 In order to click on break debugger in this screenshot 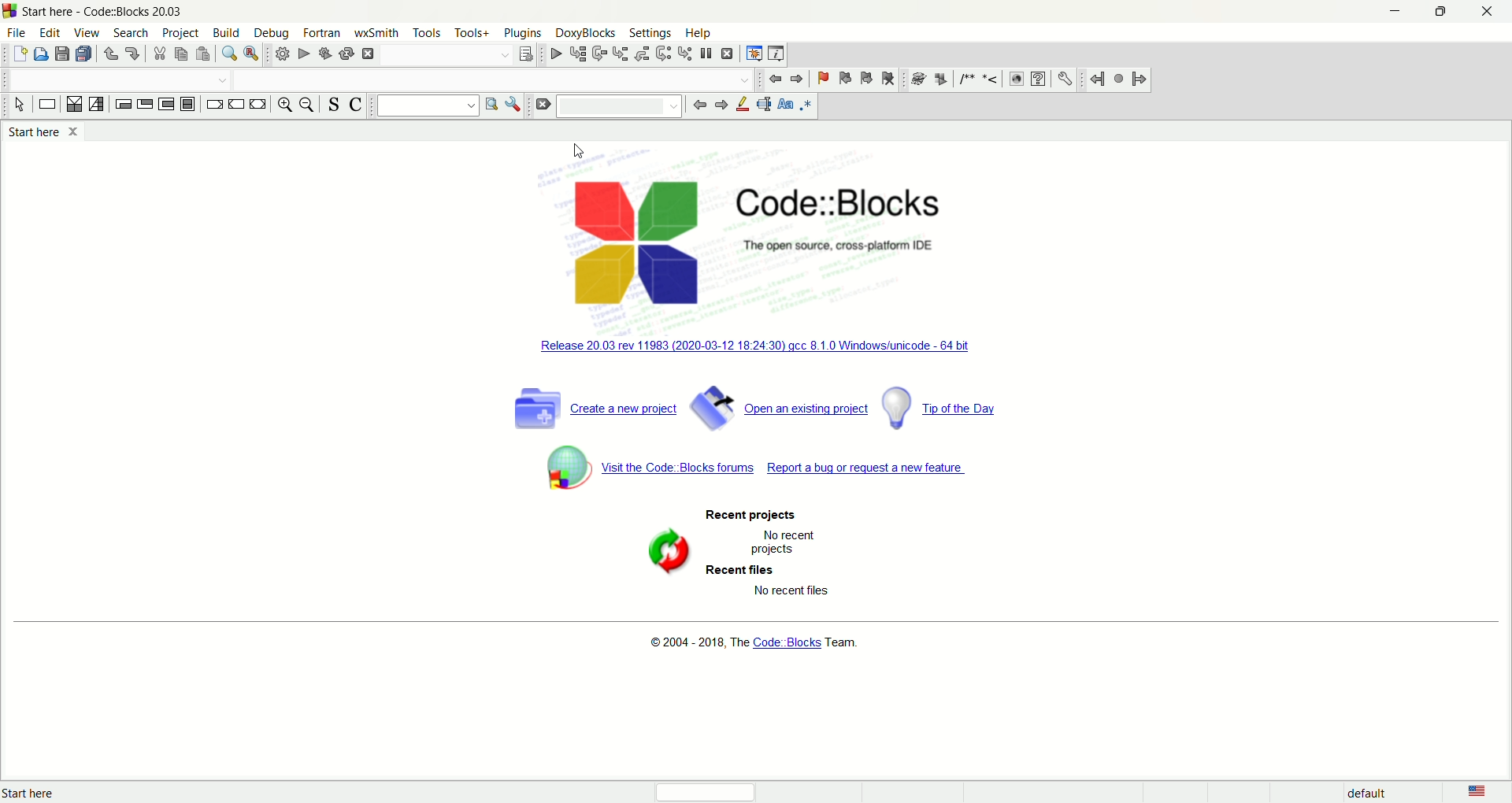, I will do `click(706, 54)`.